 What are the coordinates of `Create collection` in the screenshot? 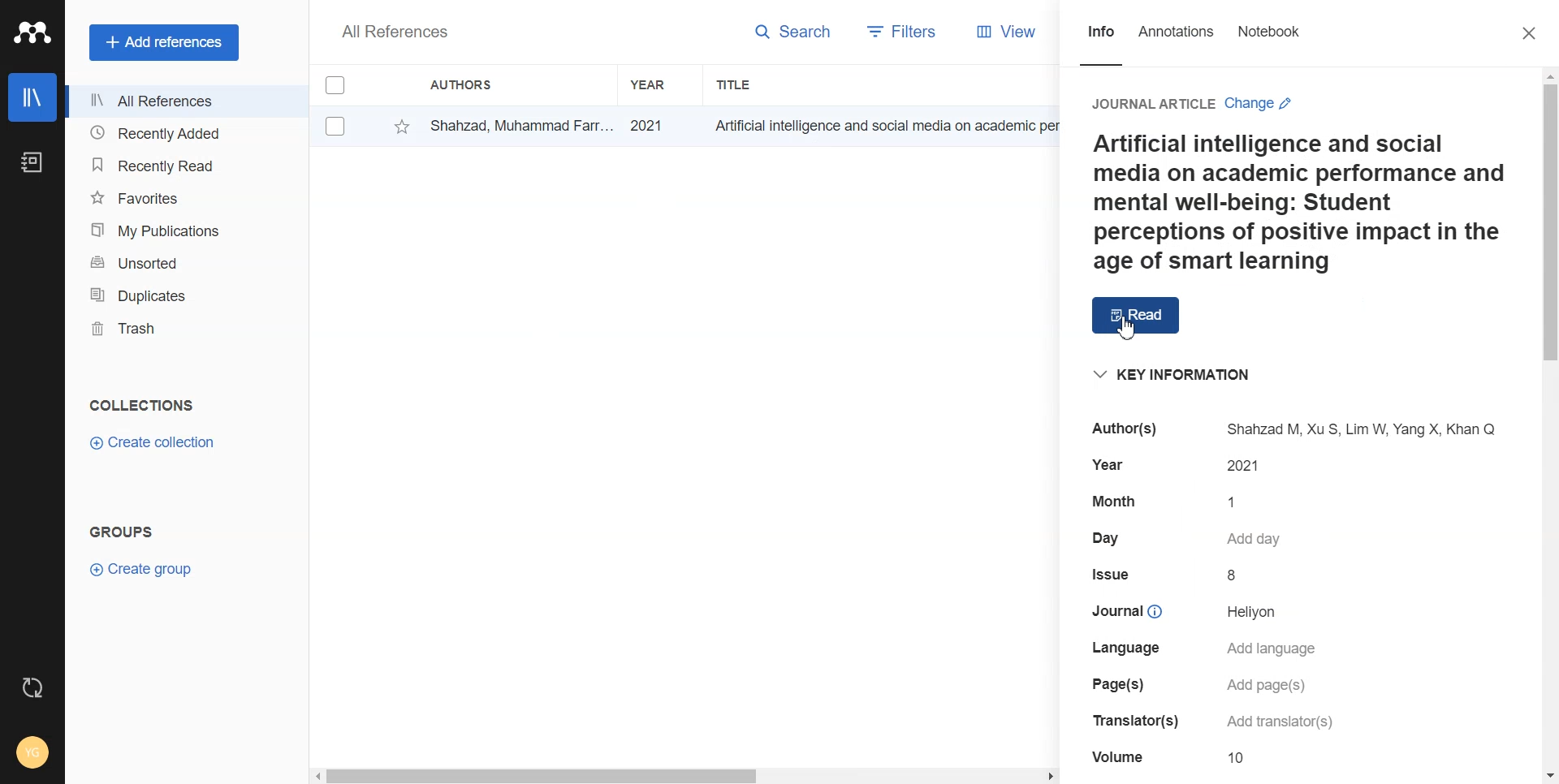 It's located at (153, 442).